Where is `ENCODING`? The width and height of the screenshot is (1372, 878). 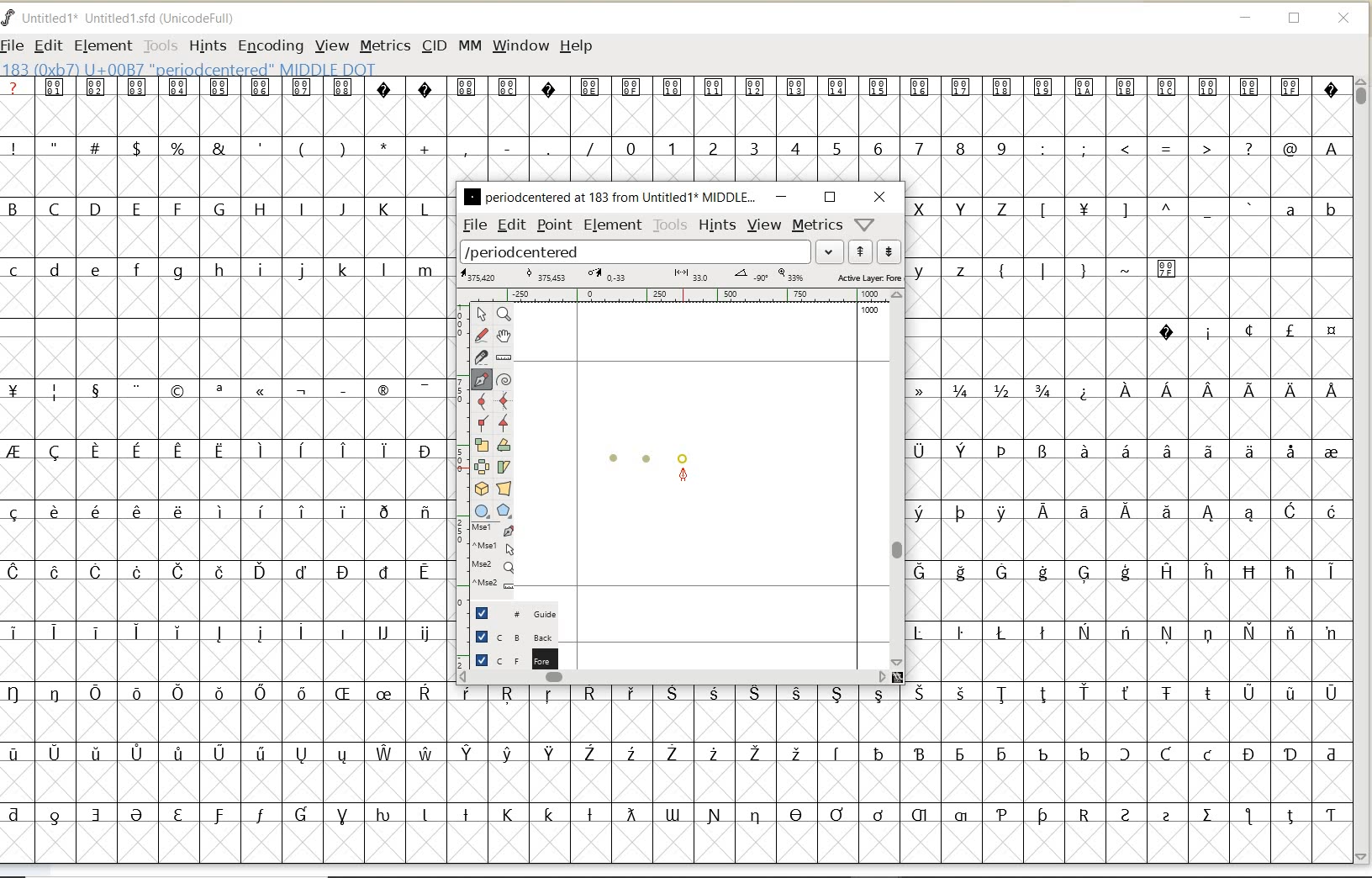 ENCODING is located at coordinates (271, 47).